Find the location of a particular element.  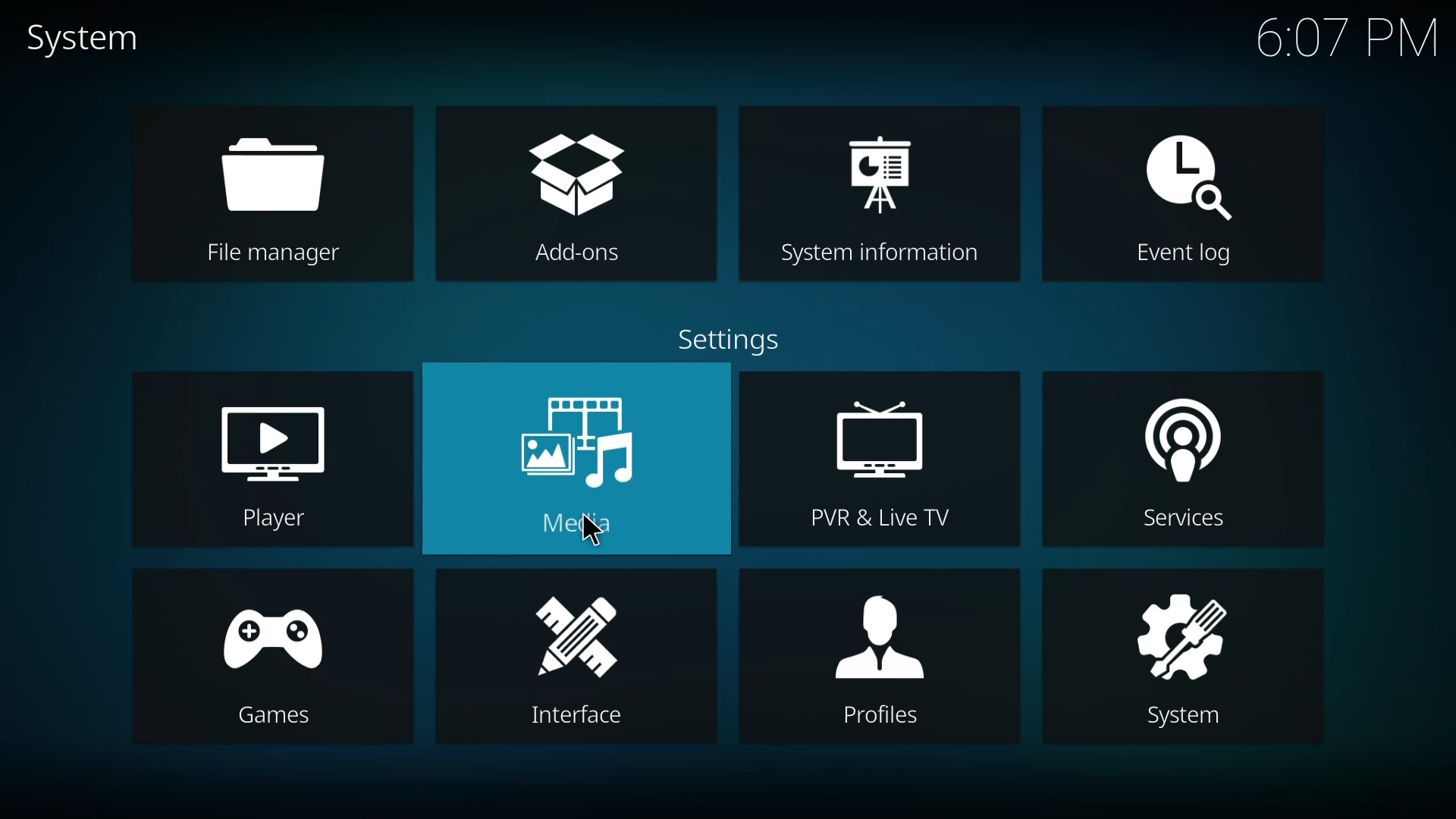

Player is located at coordinates (266, 520).